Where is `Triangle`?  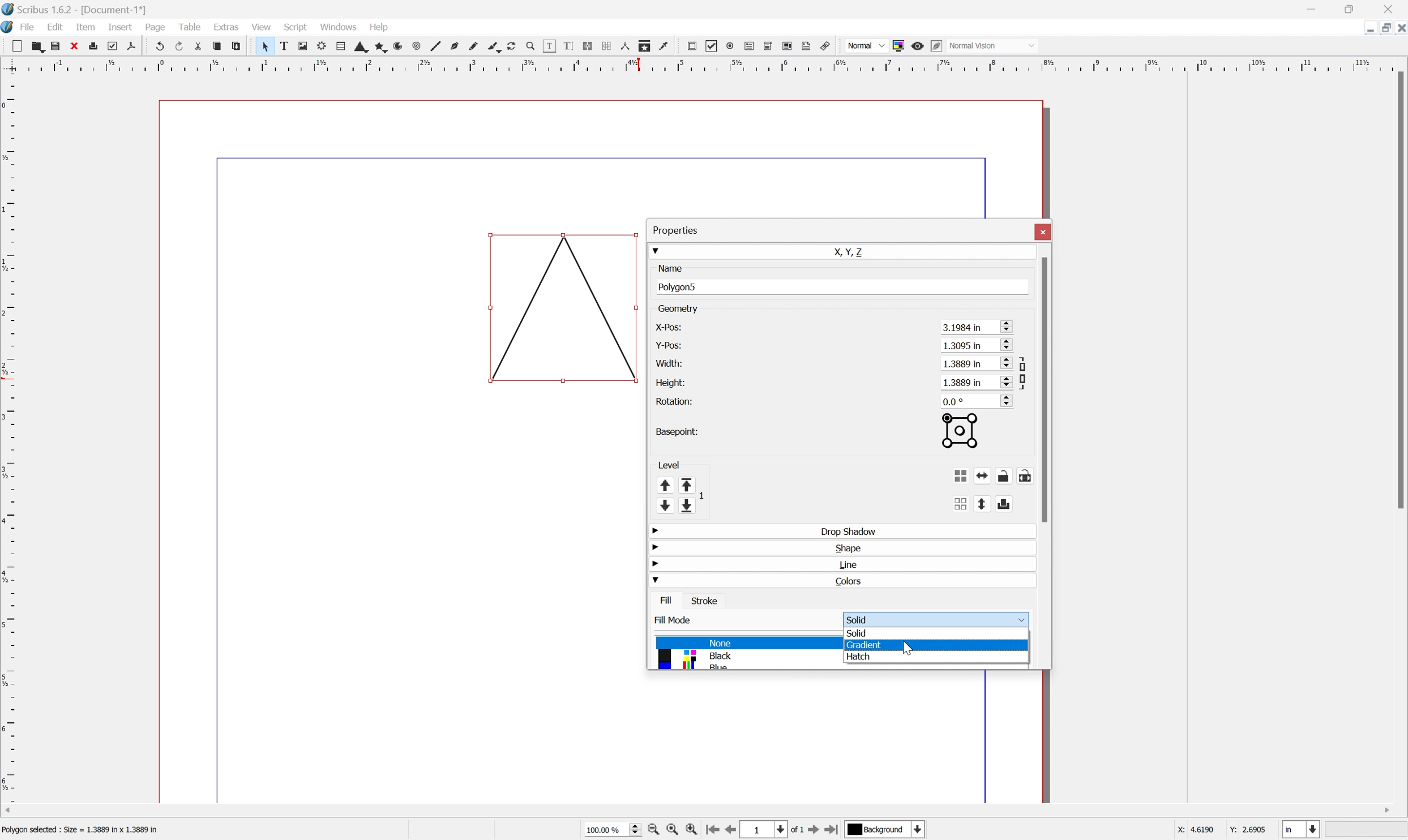
Triangle is located at coordinates (564, 308).